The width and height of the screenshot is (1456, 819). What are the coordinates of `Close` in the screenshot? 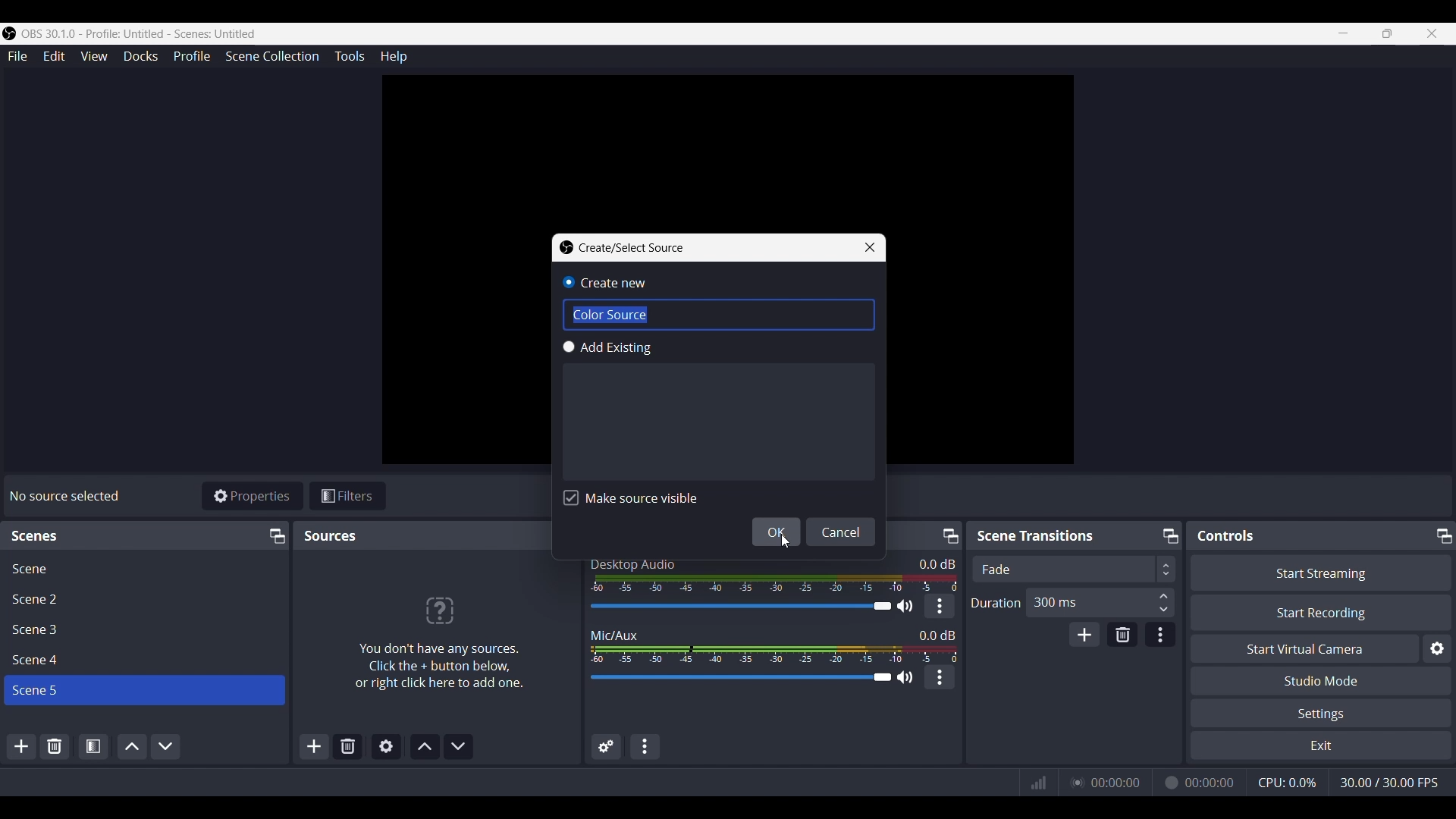 It's located at (1434, 33).